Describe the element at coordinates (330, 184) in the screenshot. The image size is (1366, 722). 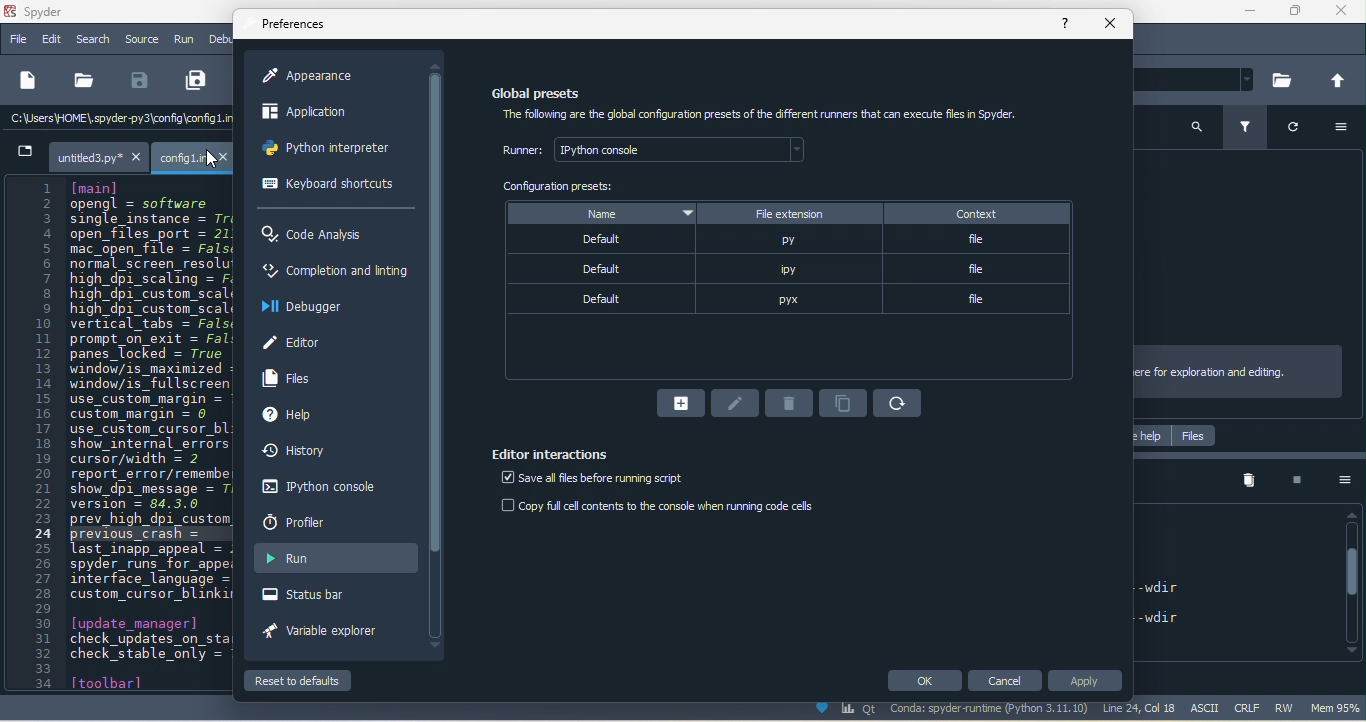
I see `keyboard shortcuts` at that location.